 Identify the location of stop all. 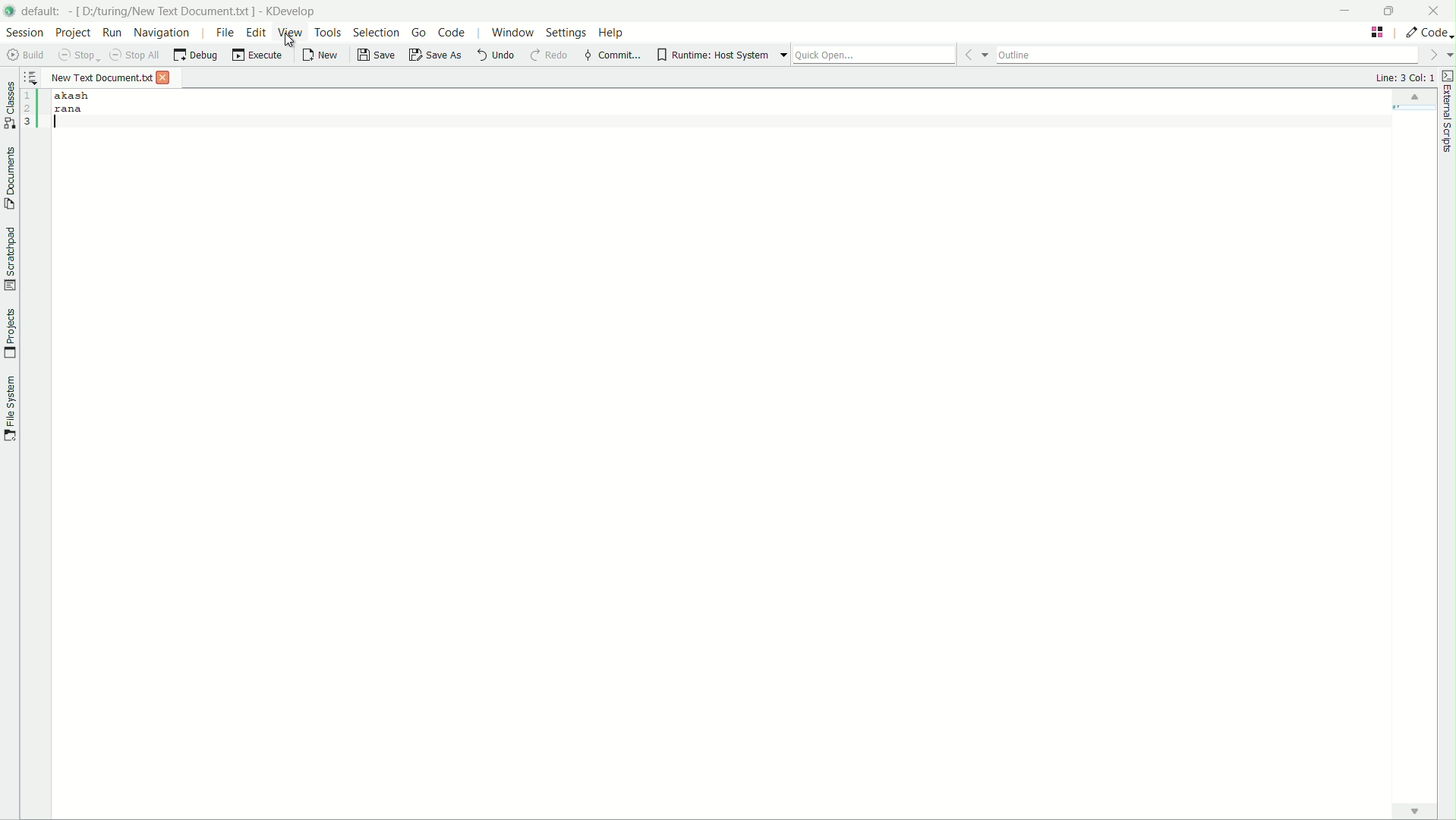
(134, 53).